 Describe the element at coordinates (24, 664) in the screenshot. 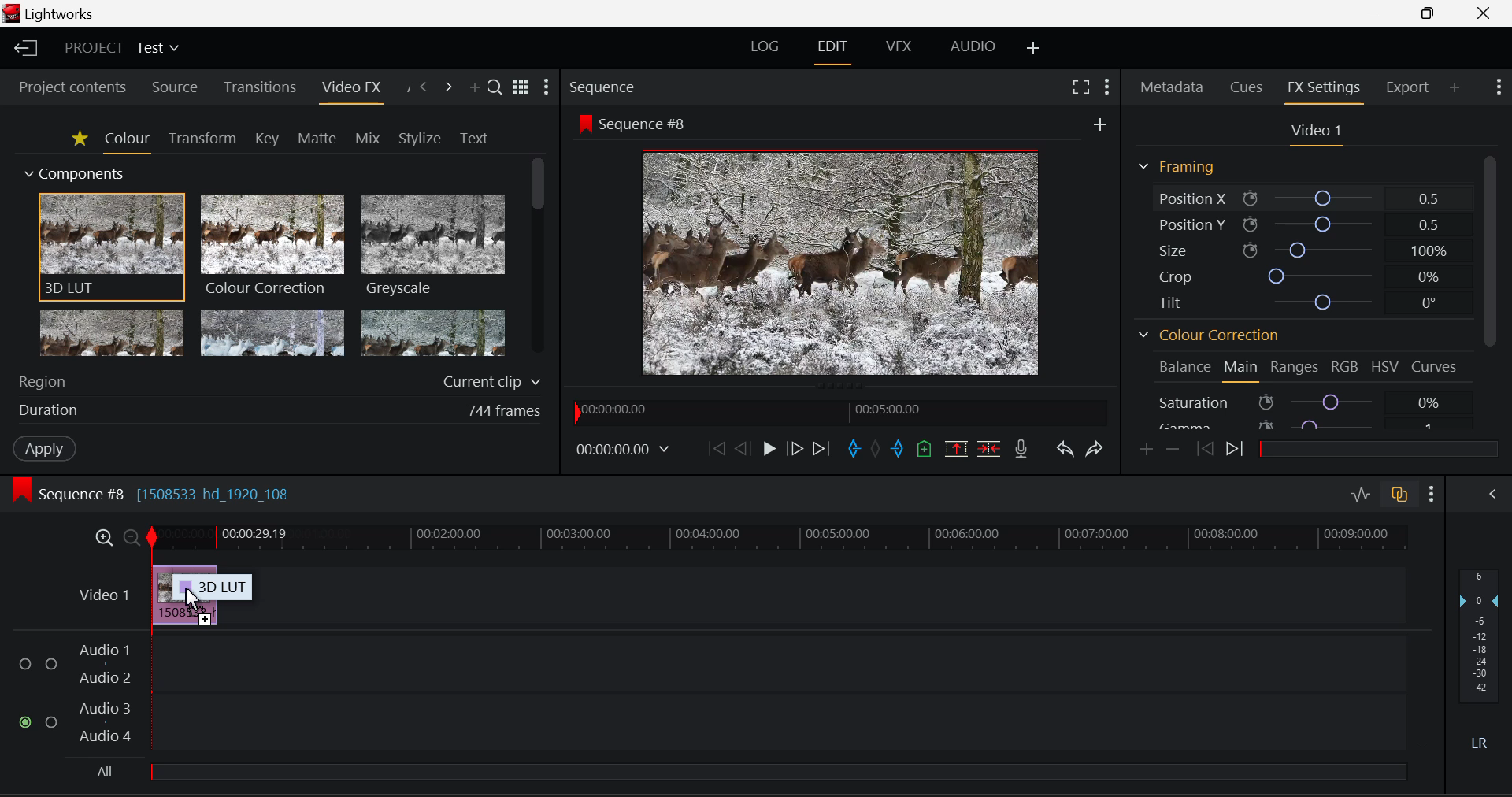

I see `Audio Input Checkbox` at that location.